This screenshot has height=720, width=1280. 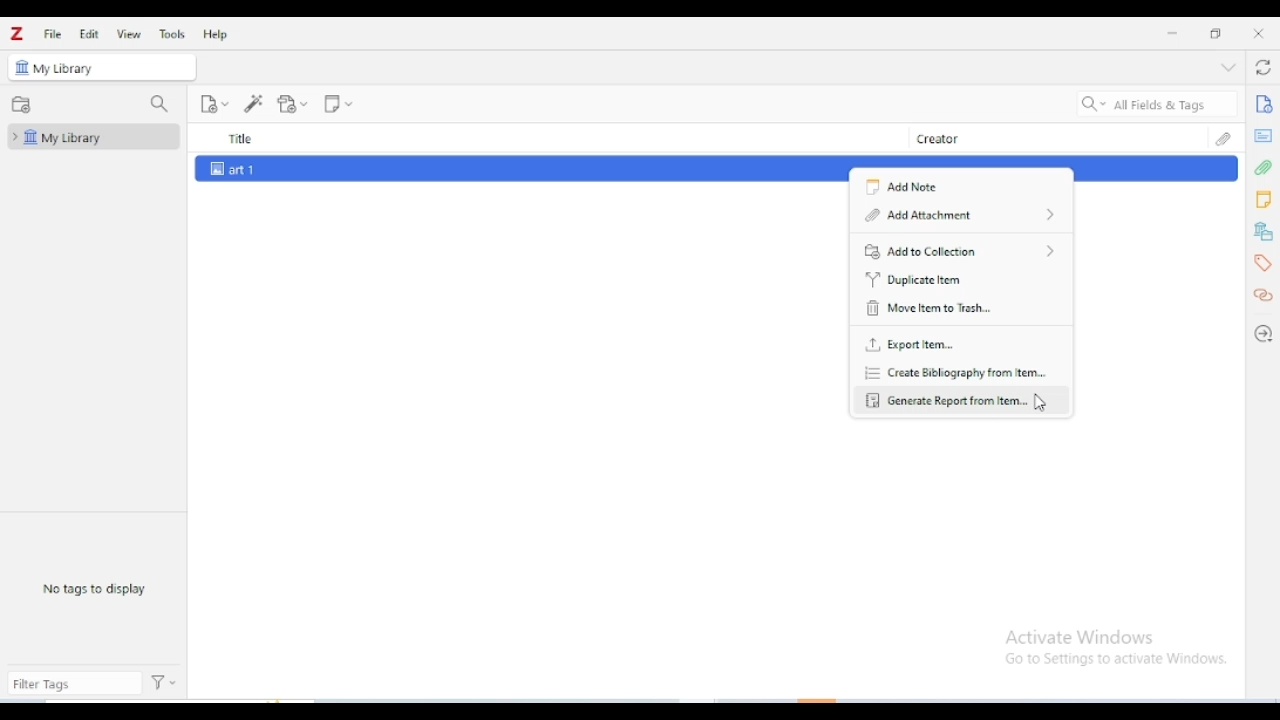 I want to click on icon, so click(x=20, y=67).